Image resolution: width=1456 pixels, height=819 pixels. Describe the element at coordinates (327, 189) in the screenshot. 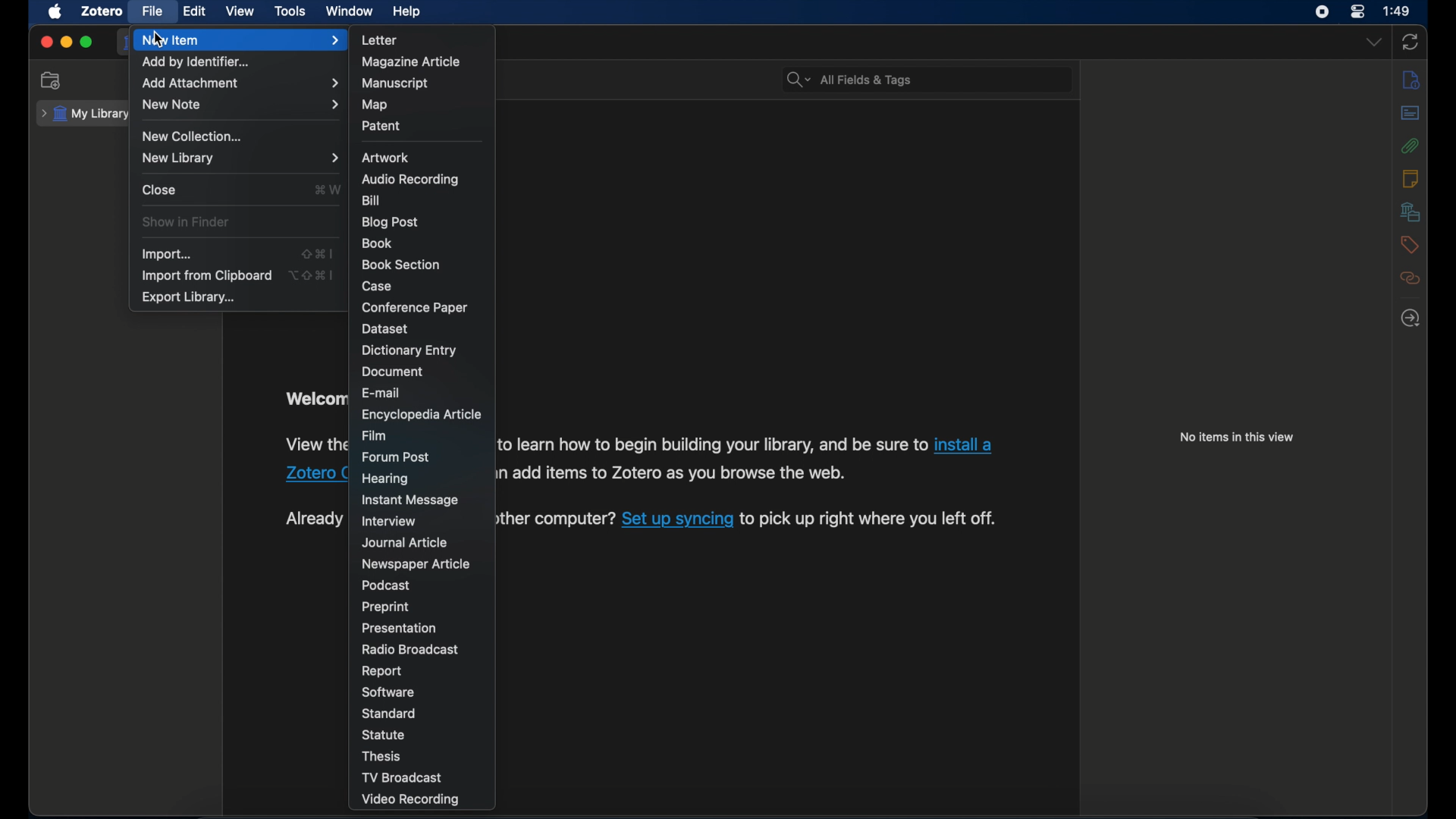

I see `command + W` at that location.